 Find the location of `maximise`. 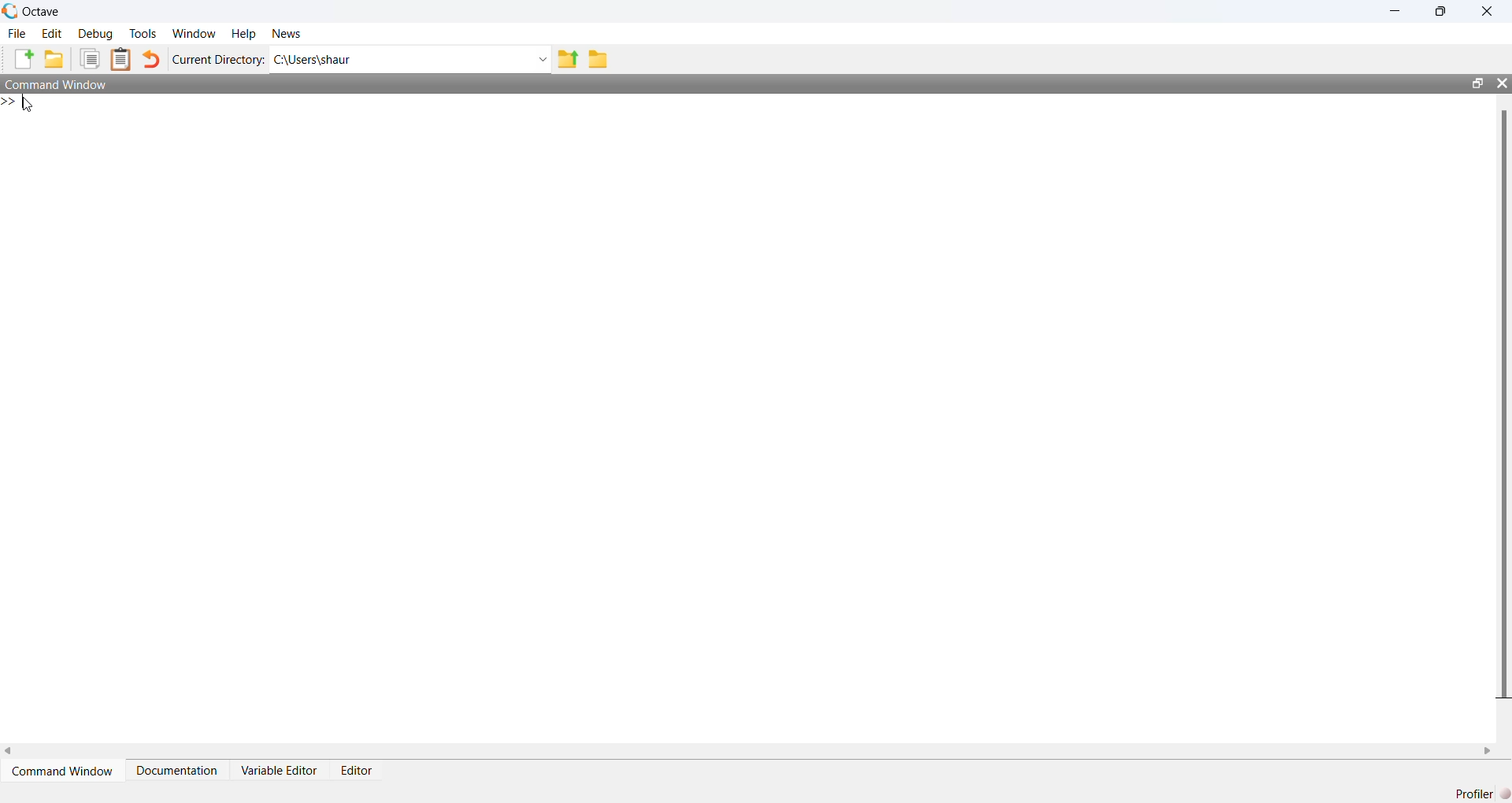

maximise is located at coordinates (1443, 9).